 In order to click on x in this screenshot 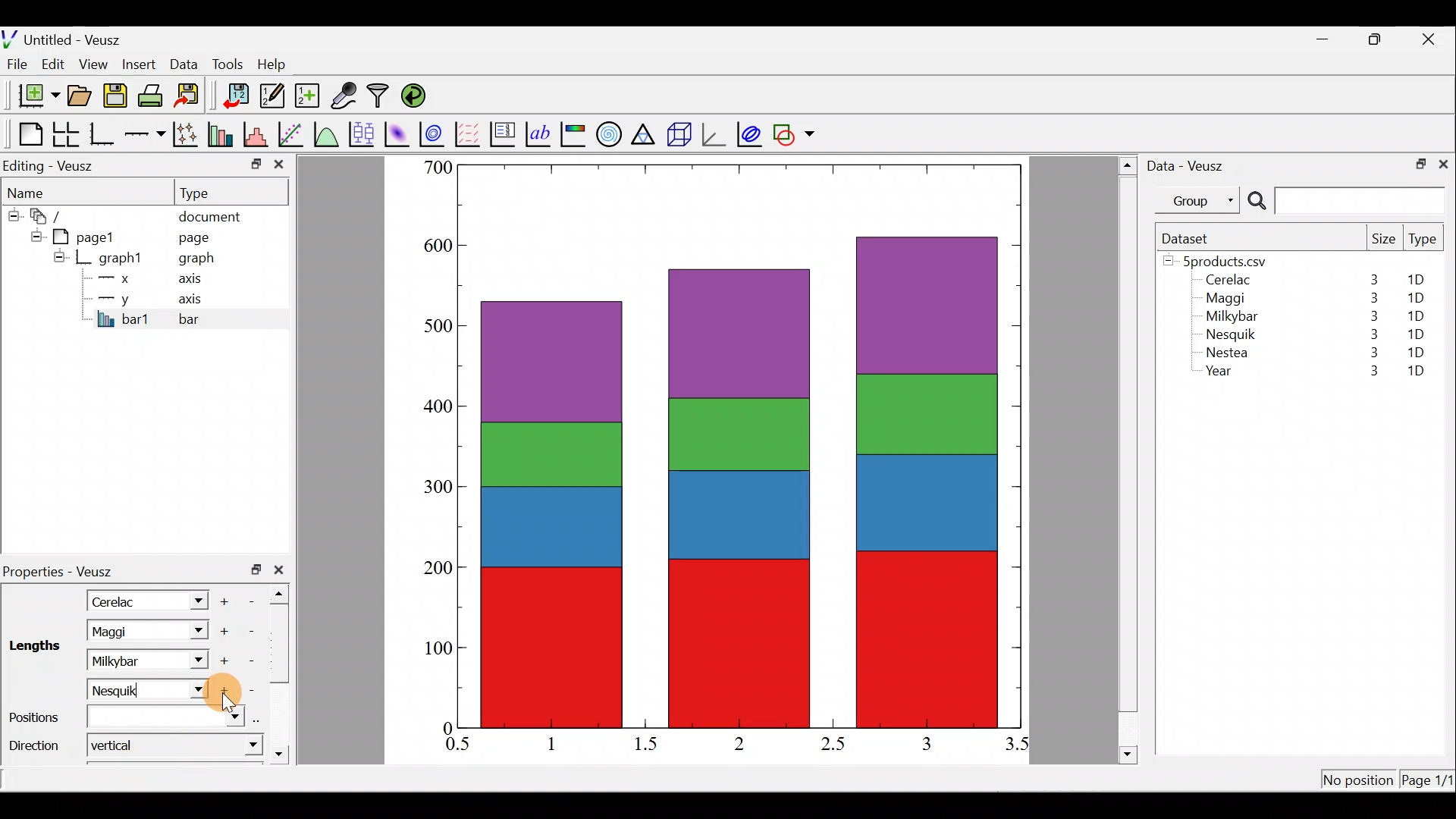, I will do `click(118, 278)`.